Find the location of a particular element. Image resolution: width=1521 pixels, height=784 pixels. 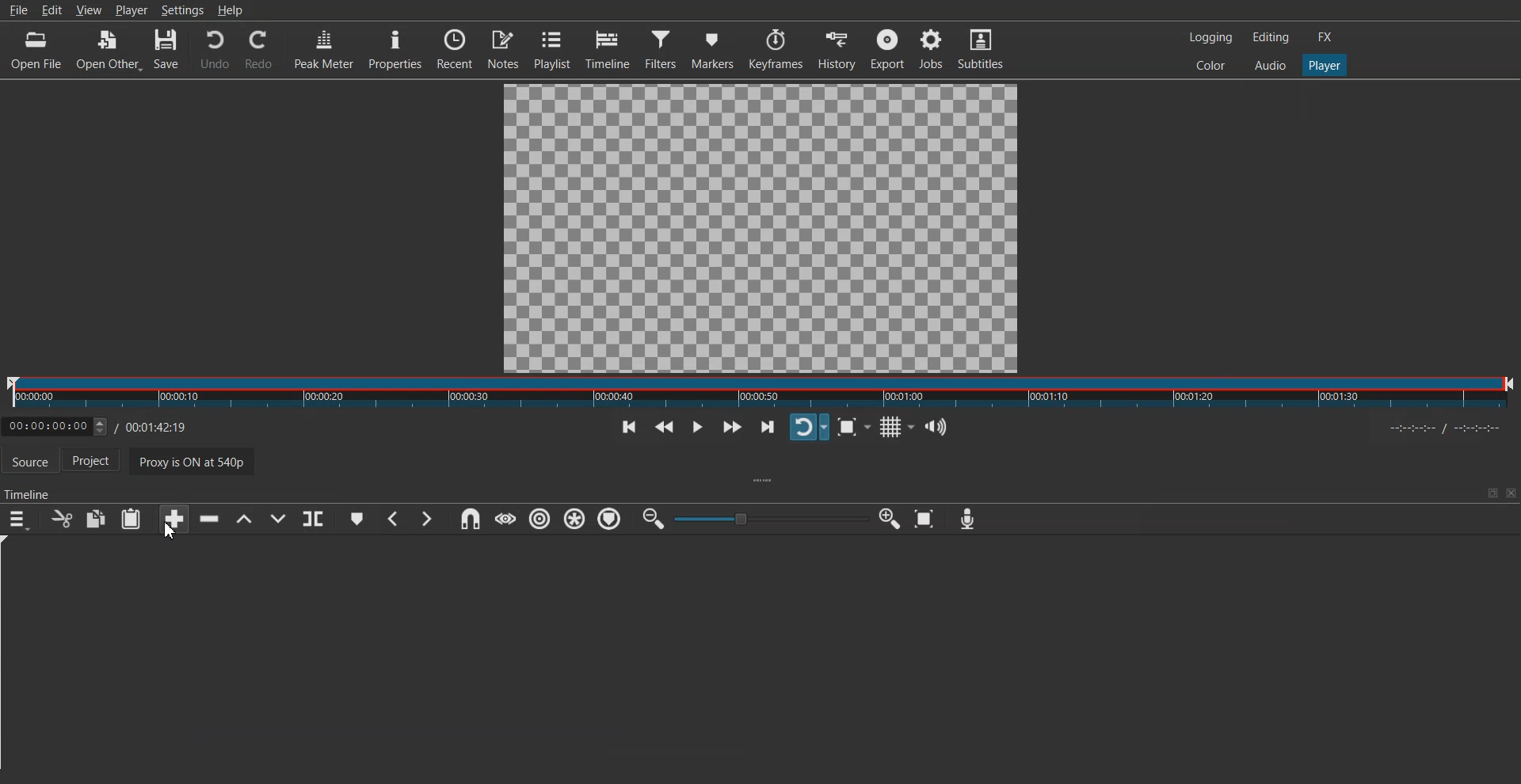

Player is located at coordinates (132, 10).